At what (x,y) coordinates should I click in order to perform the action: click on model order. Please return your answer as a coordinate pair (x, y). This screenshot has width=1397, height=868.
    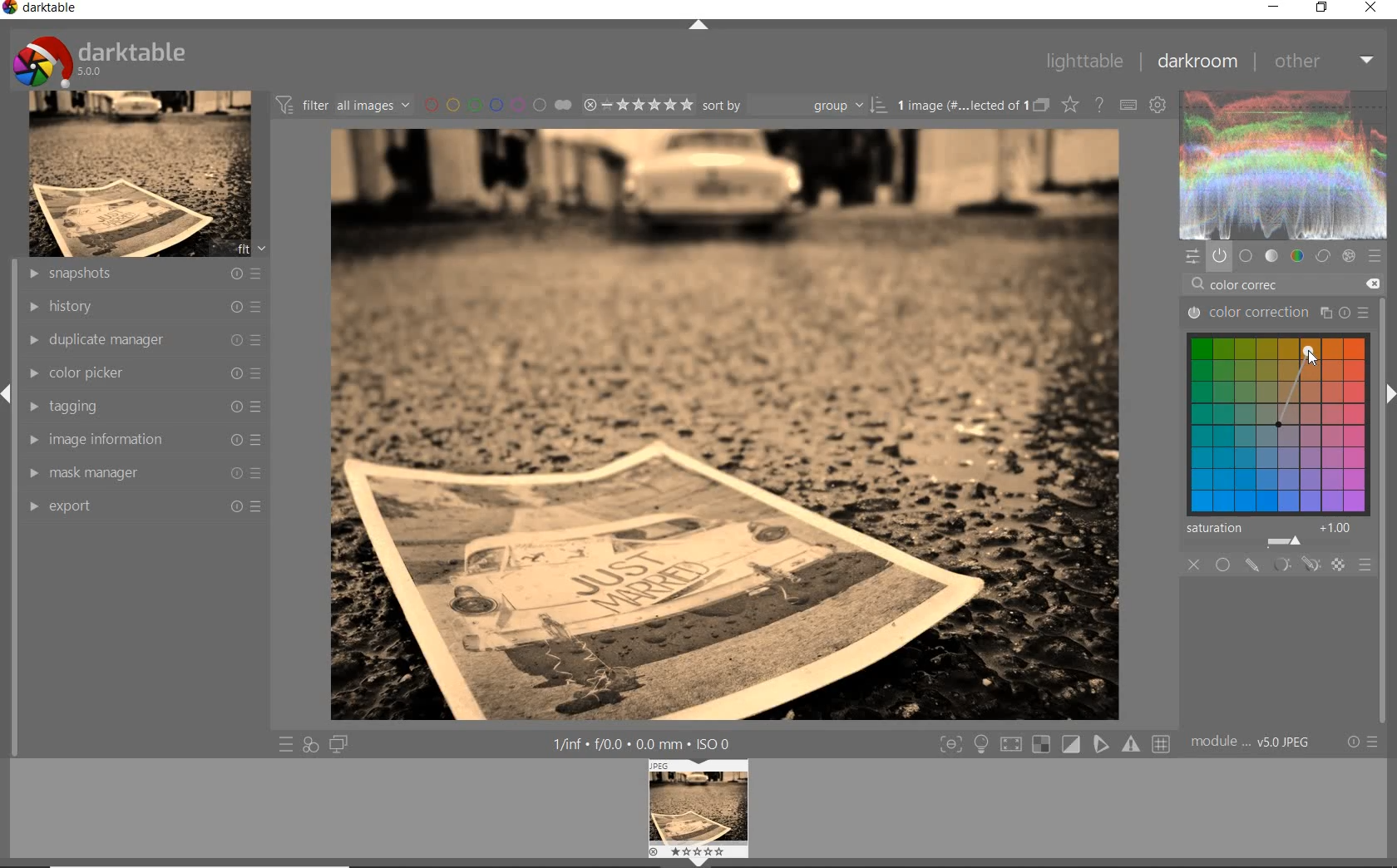
    Looking at the image, I should click on (1251, 743).